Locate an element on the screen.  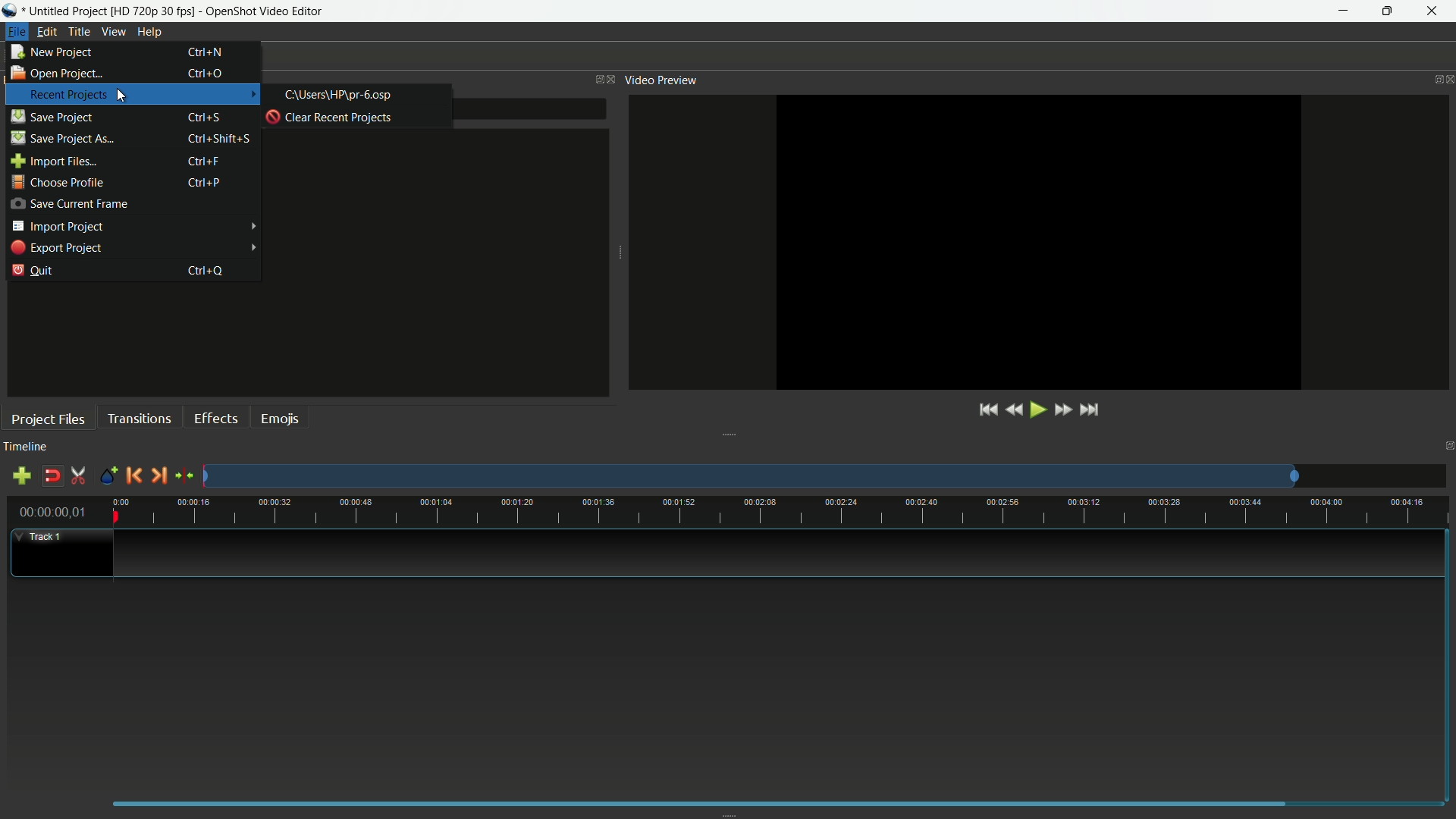
center the timeline on the playhead is located at coordinates (185, 475).